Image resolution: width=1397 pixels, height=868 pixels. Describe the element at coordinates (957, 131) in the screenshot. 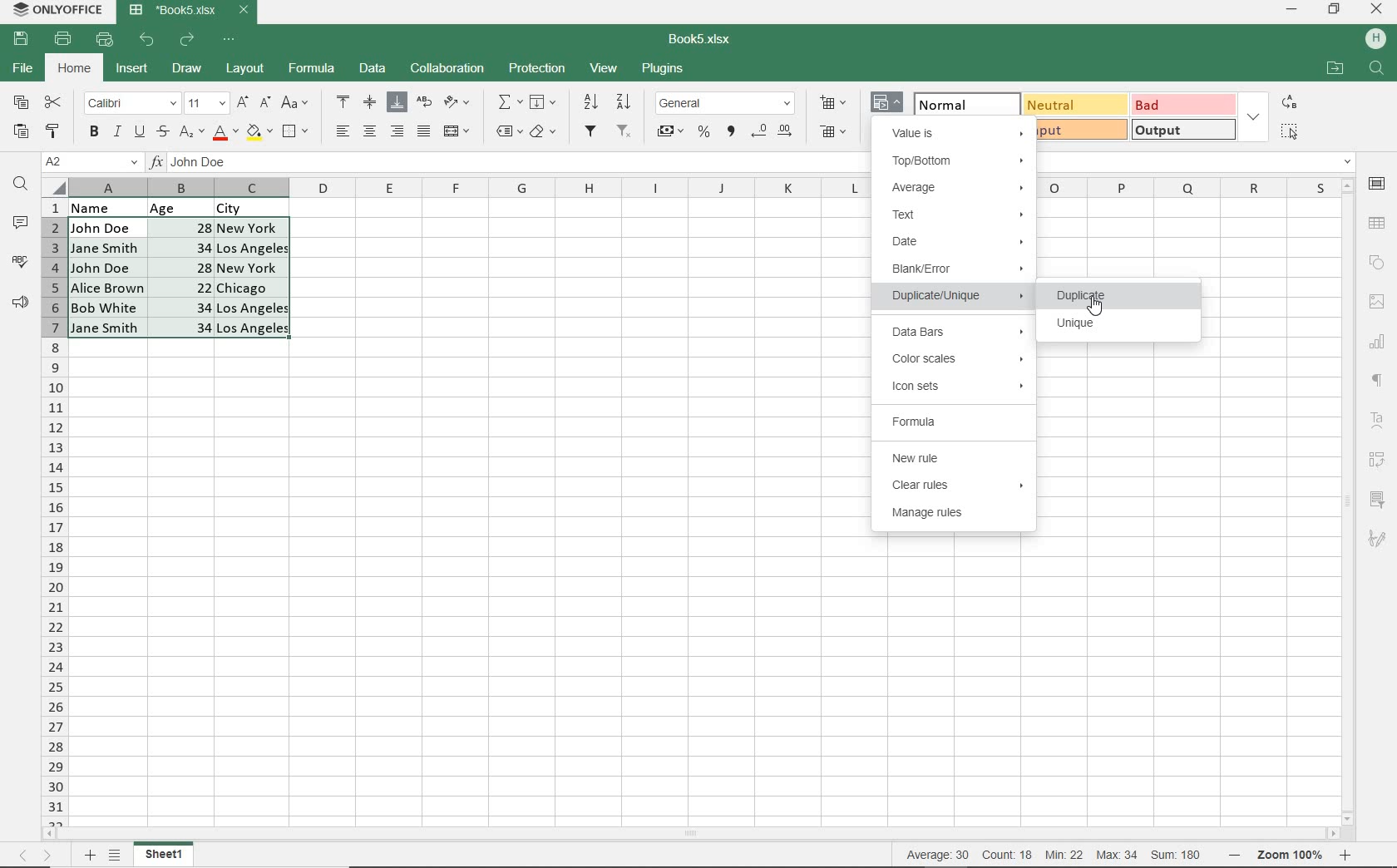

I see `VALUE IS` at that location.